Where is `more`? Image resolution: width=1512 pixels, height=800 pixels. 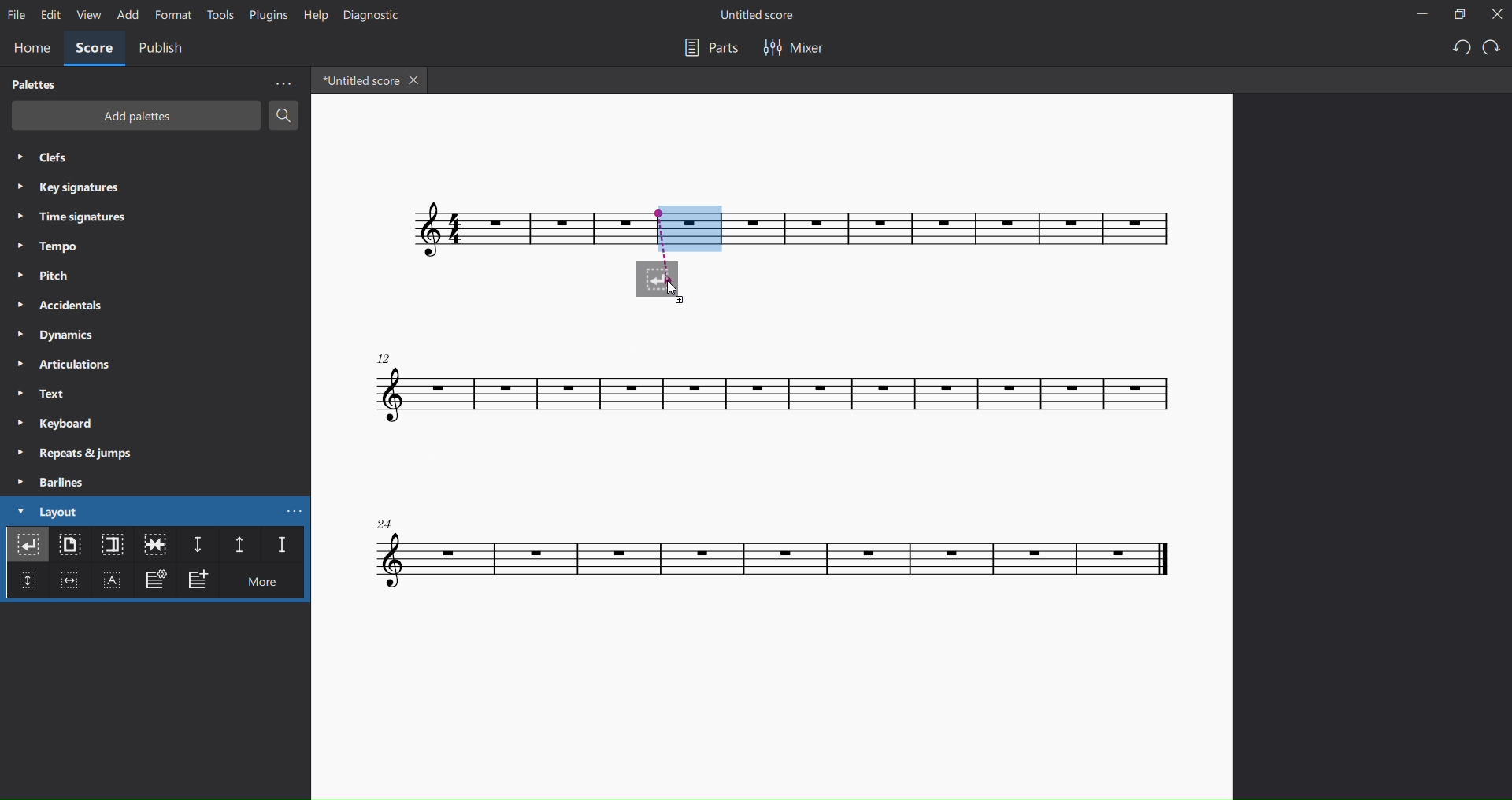 more is located at coordinates (269, 584).